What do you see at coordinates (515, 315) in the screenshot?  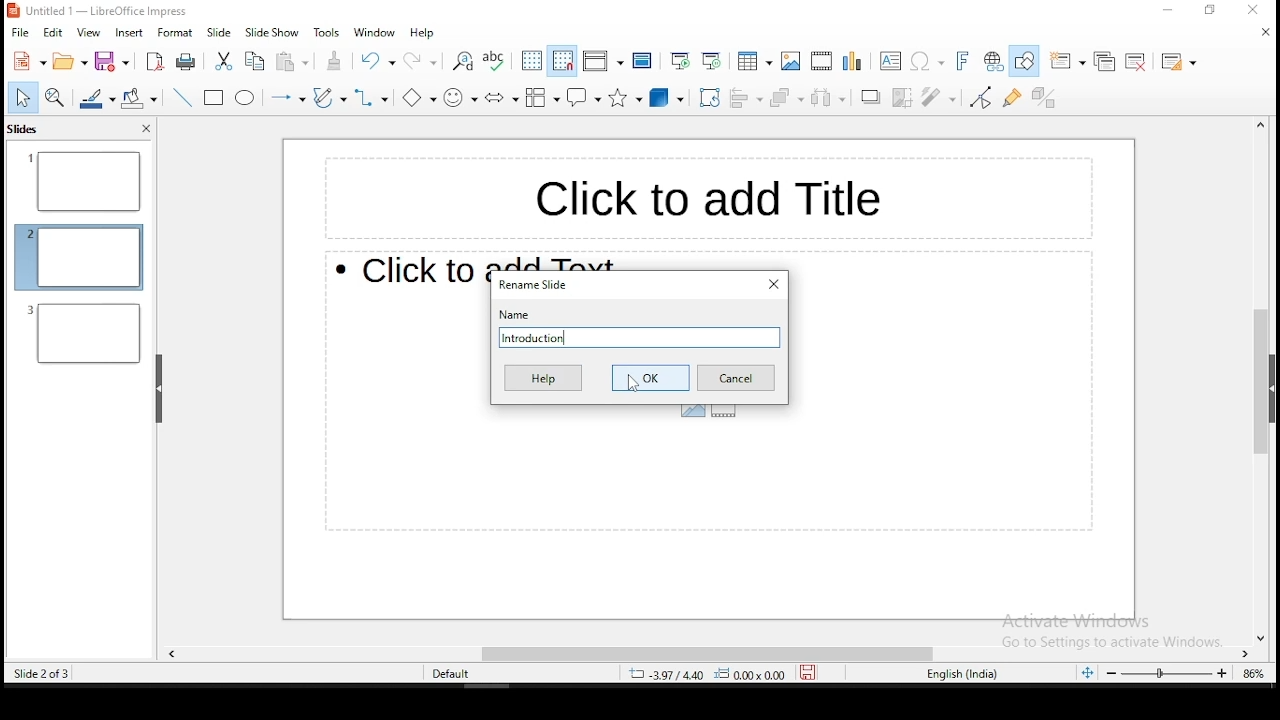 I see `name` at bounding box center [515, 315].